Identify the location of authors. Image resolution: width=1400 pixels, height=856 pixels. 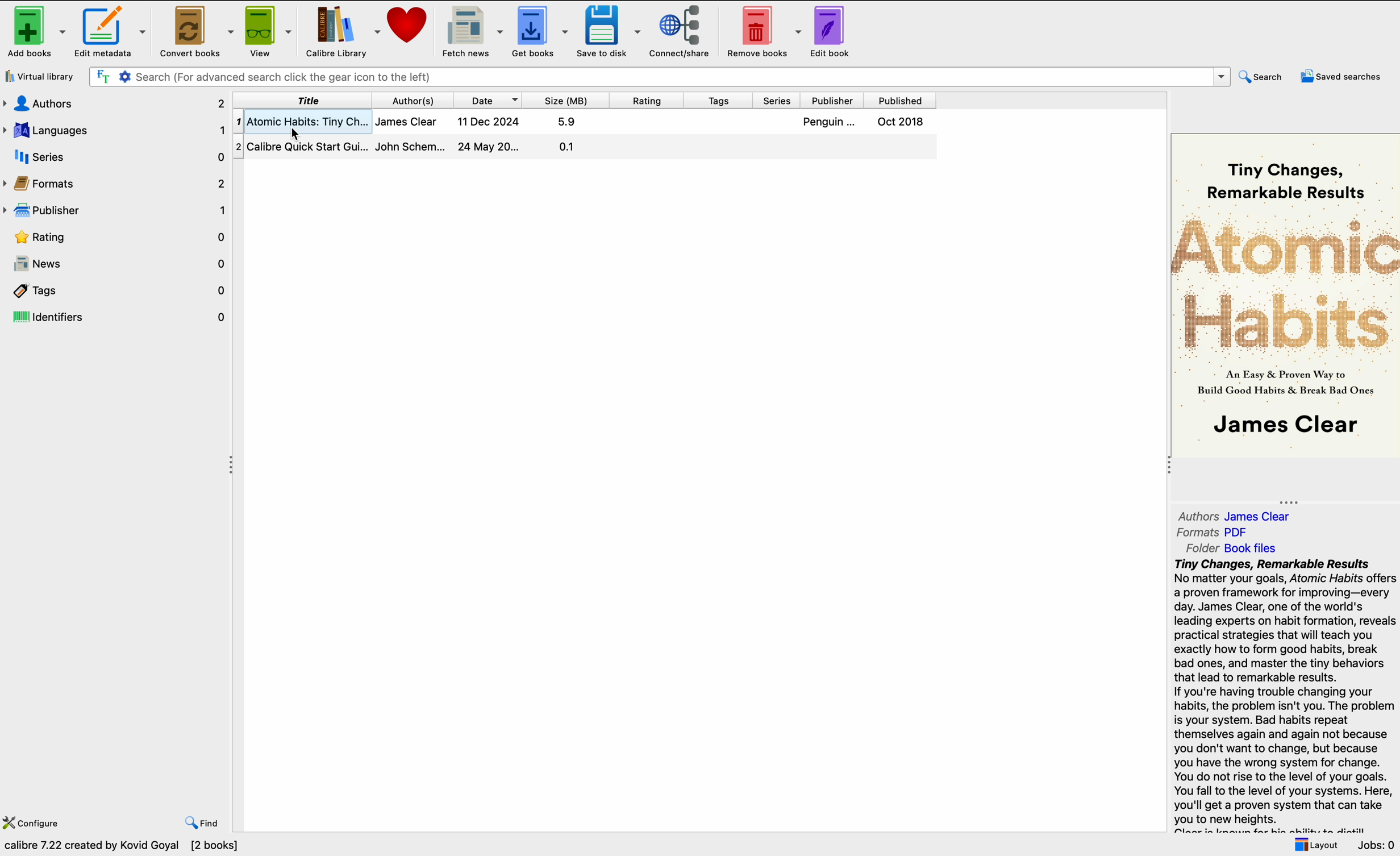
(115, 102).